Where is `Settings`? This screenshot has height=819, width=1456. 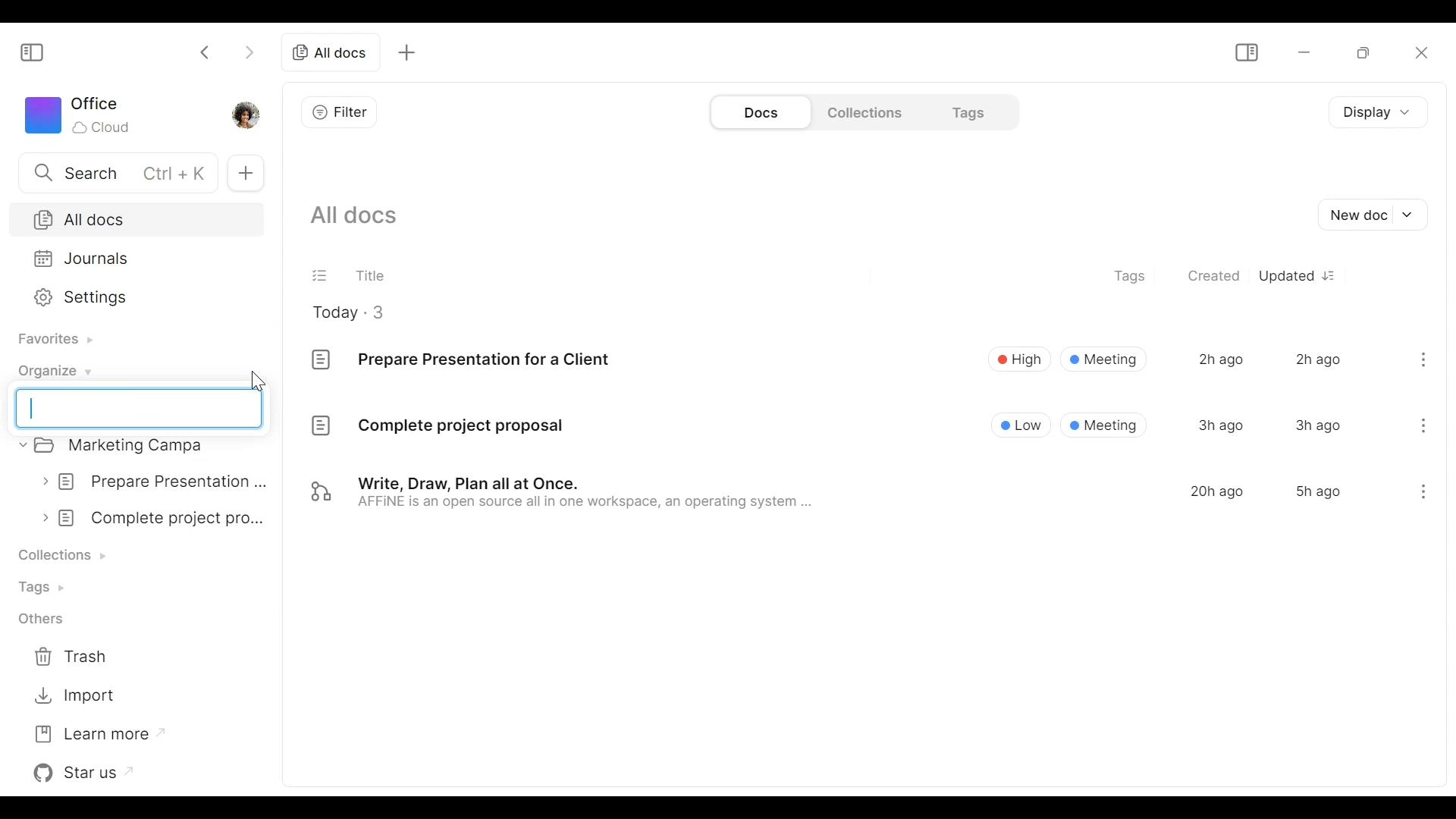 Settings is located at coordinates (133, 296).